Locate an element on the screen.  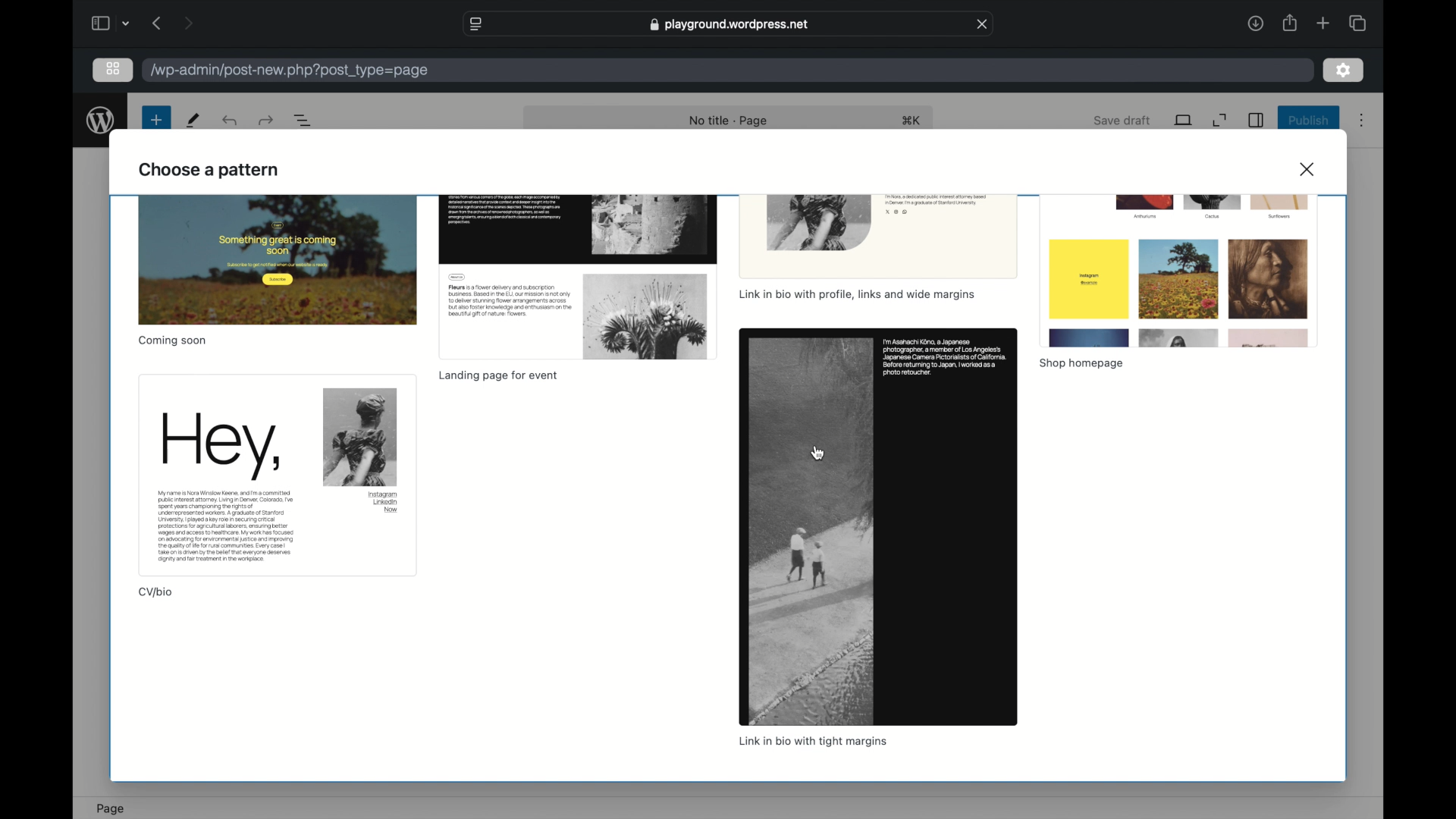
preview is located at coordinates (577, 278).